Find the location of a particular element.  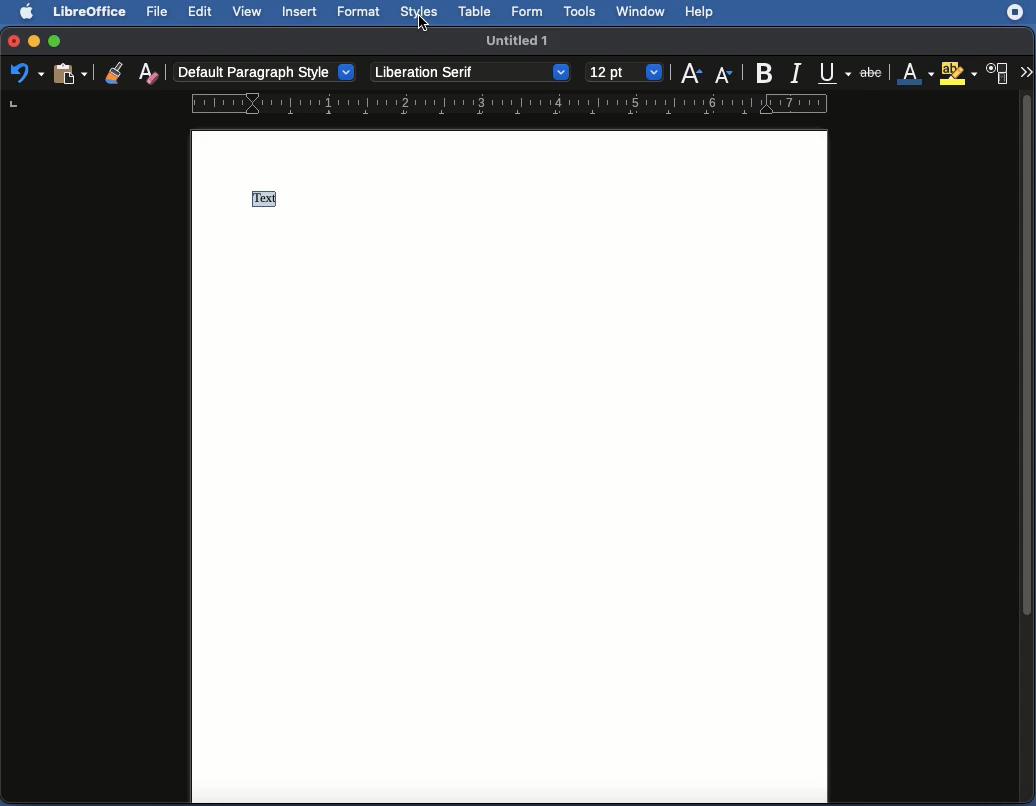

Styles is located at coordinates (418, 13).